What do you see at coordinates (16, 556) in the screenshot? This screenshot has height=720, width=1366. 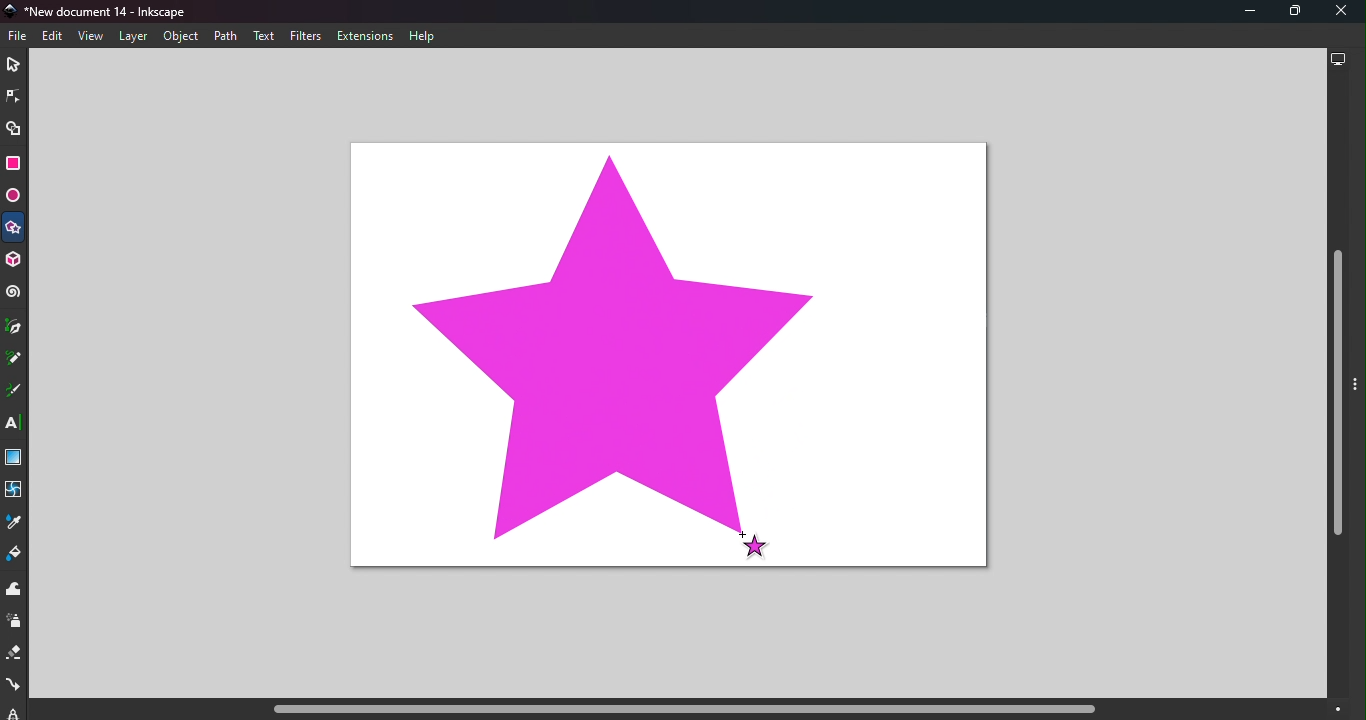 I see `Paint bucket tool` at bounding box center [16, 556].